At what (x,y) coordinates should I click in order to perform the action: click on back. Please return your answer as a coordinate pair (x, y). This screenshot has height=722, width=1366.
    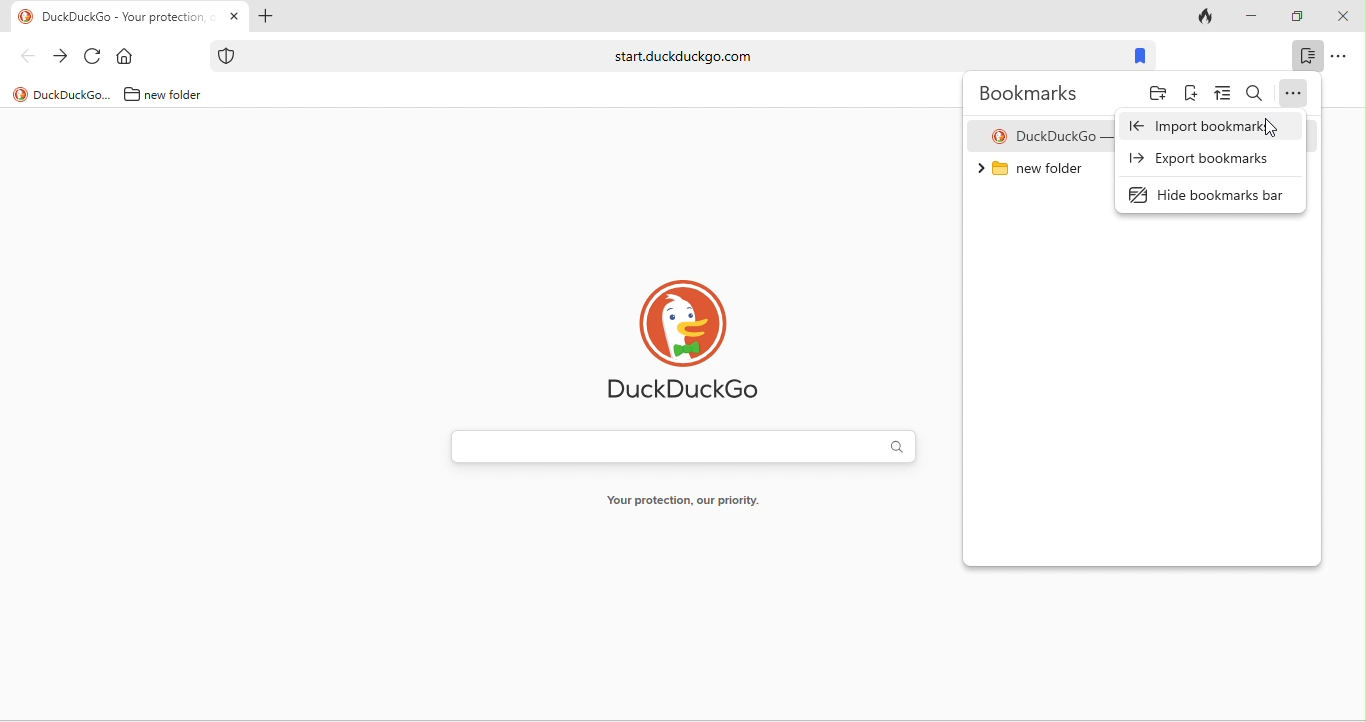
    Looking at the image, I should click on (27, 55).